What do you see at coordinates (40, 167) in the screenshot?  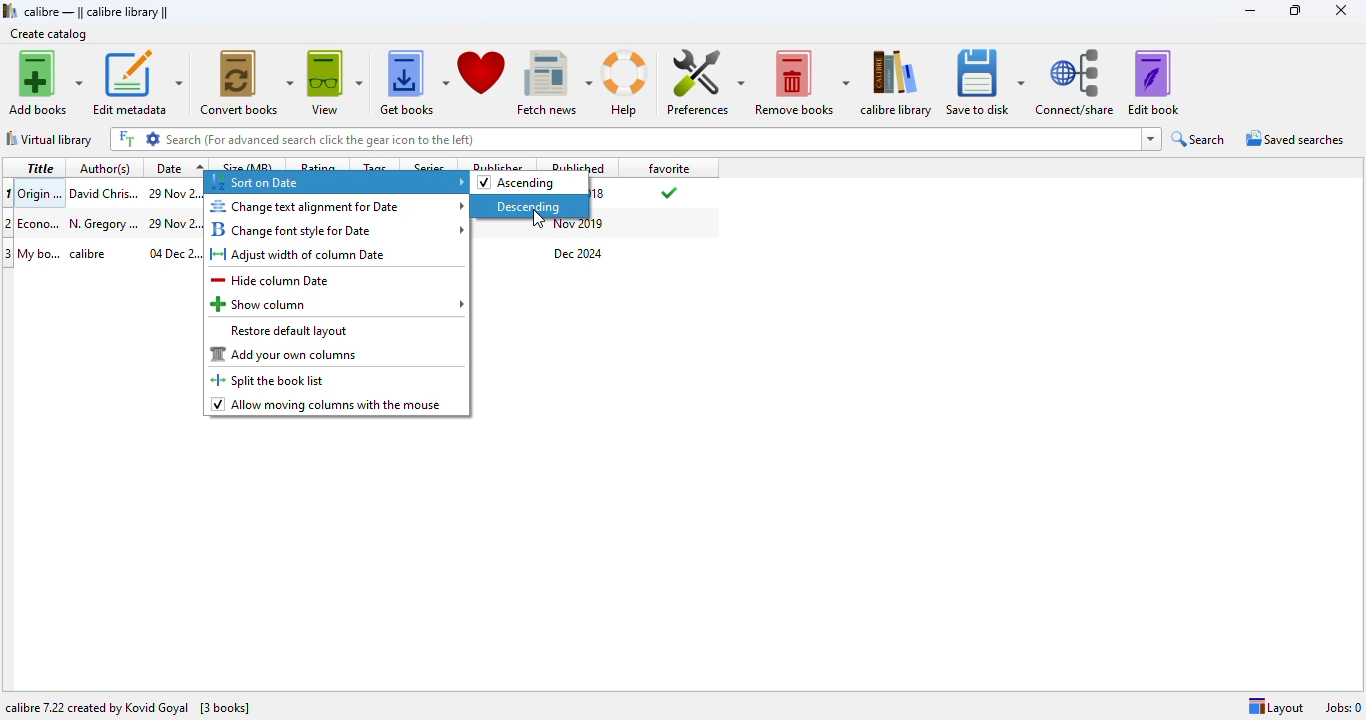 I see `title` at bounding box center [40, 167].